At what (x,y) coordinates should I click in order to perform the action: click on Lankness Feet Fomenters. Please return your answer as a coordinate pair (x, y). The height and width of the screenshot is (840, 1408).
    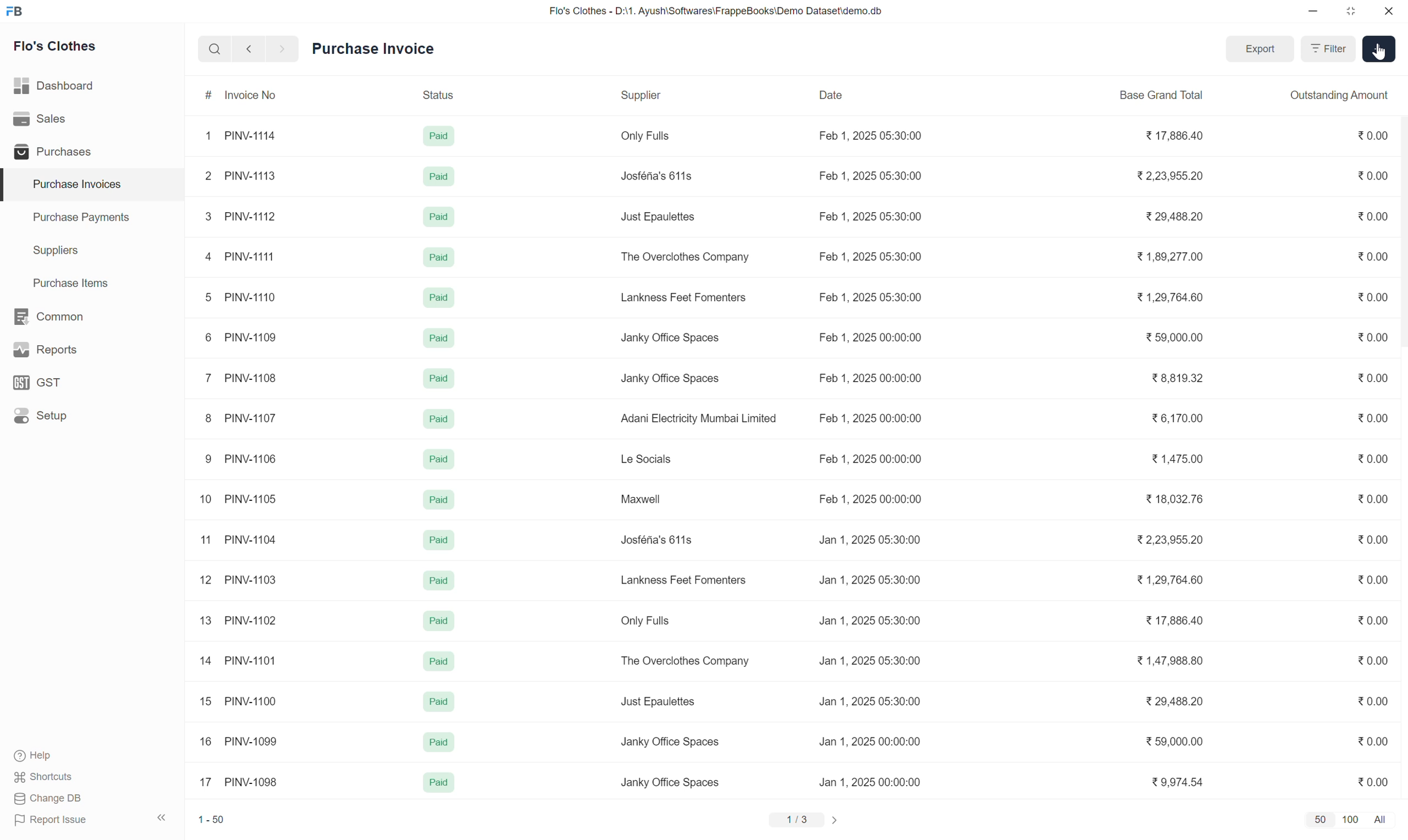
    Looking at the image, I should click on (684, 580).